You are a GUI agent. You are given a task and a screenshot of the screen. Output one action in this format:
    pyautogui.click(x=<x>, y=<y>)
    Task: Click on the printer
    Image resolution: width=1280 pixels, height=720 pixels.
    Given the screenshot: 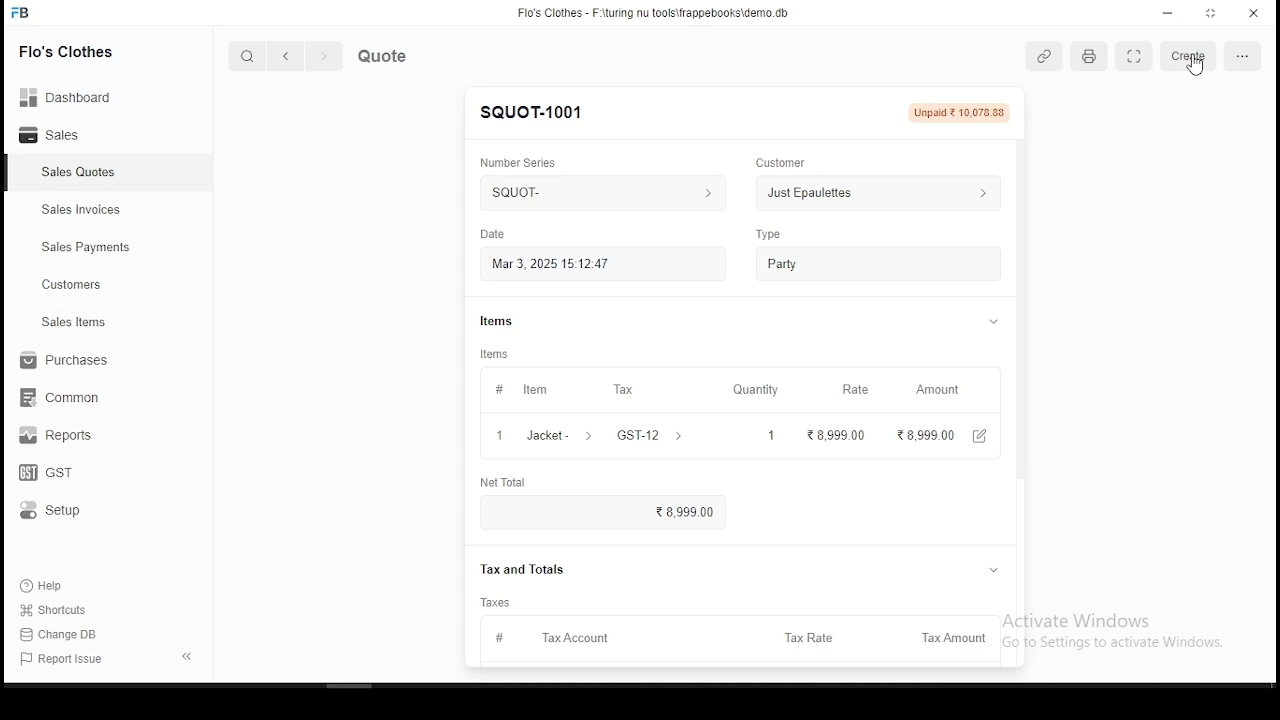 What is the action you would take?
    pyautogui.click(x=1090, y=57)
    